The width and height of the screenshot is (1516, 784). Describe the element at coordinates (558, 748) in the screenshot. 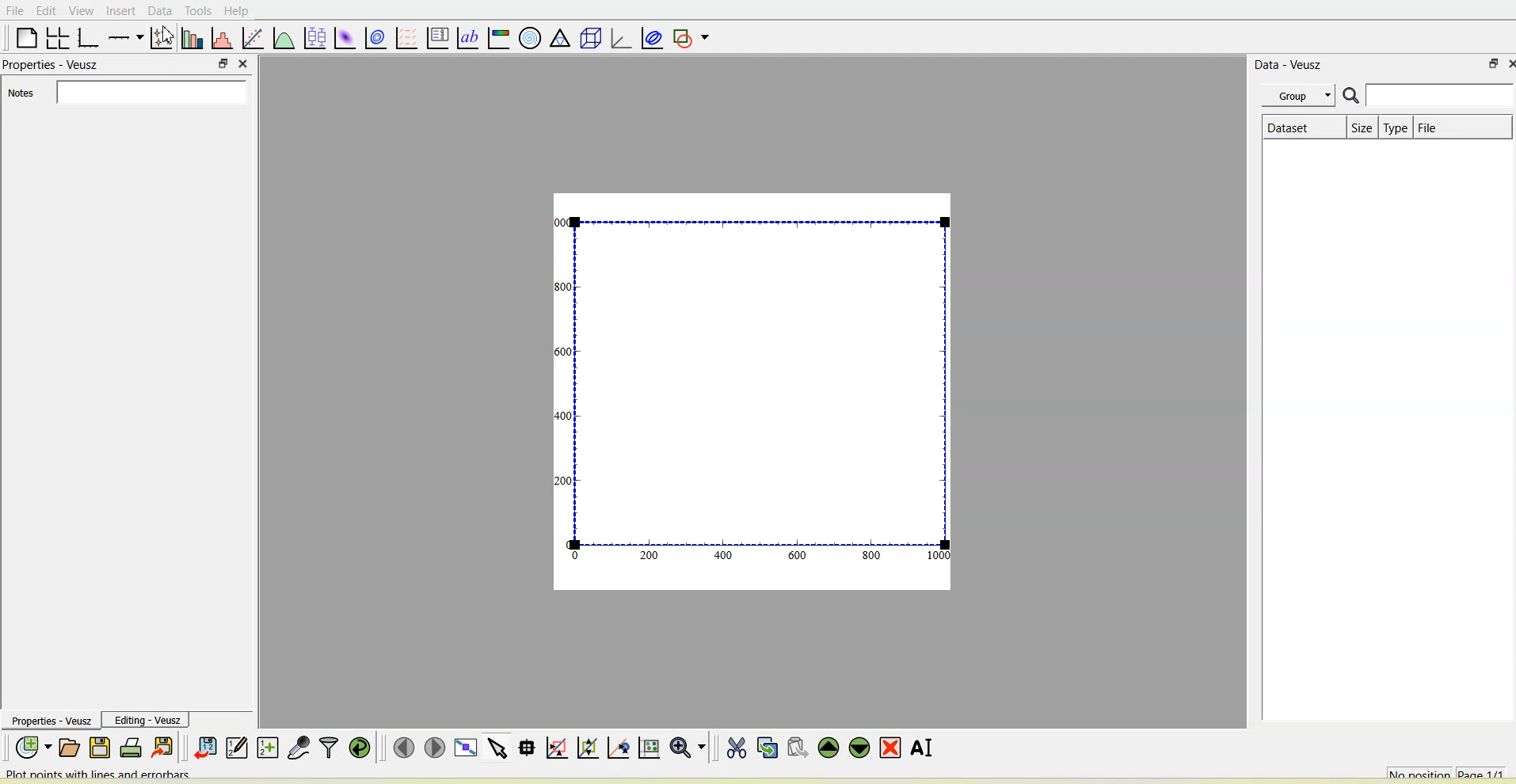

I see `Click or draw a rectangle to zoom graph axes` at that location.